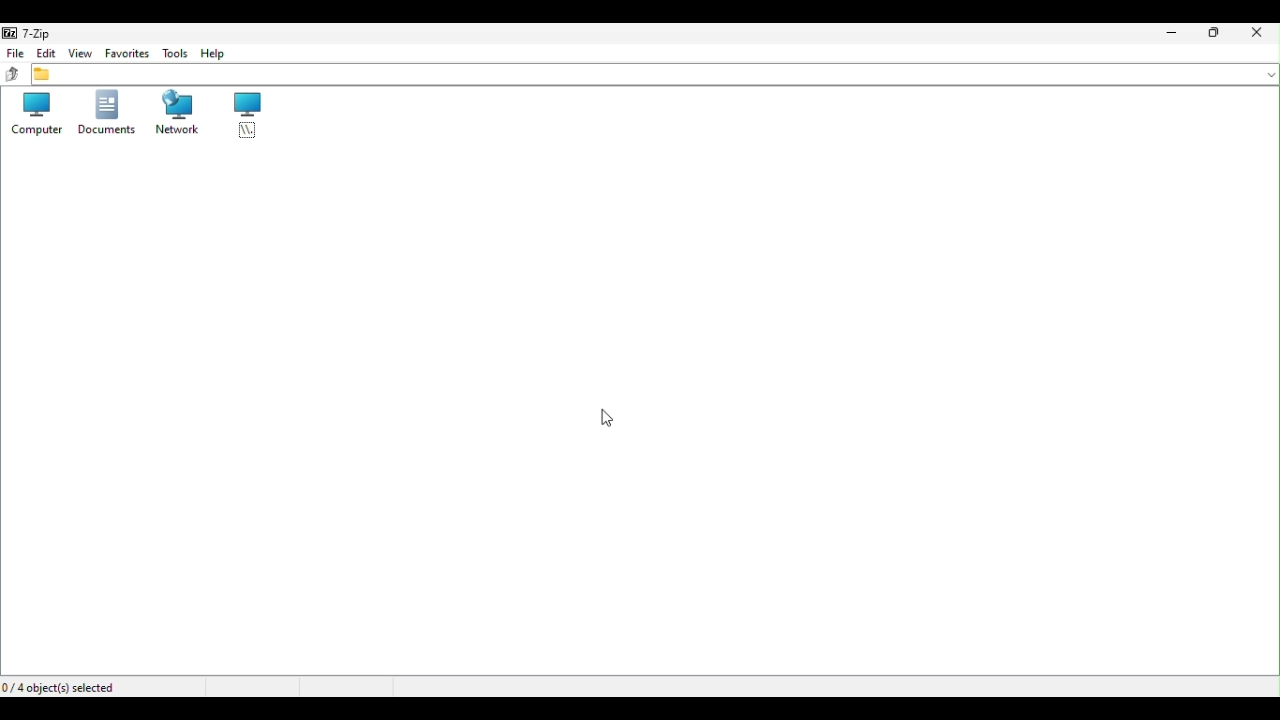  I want to click on File, so click(14, 53).